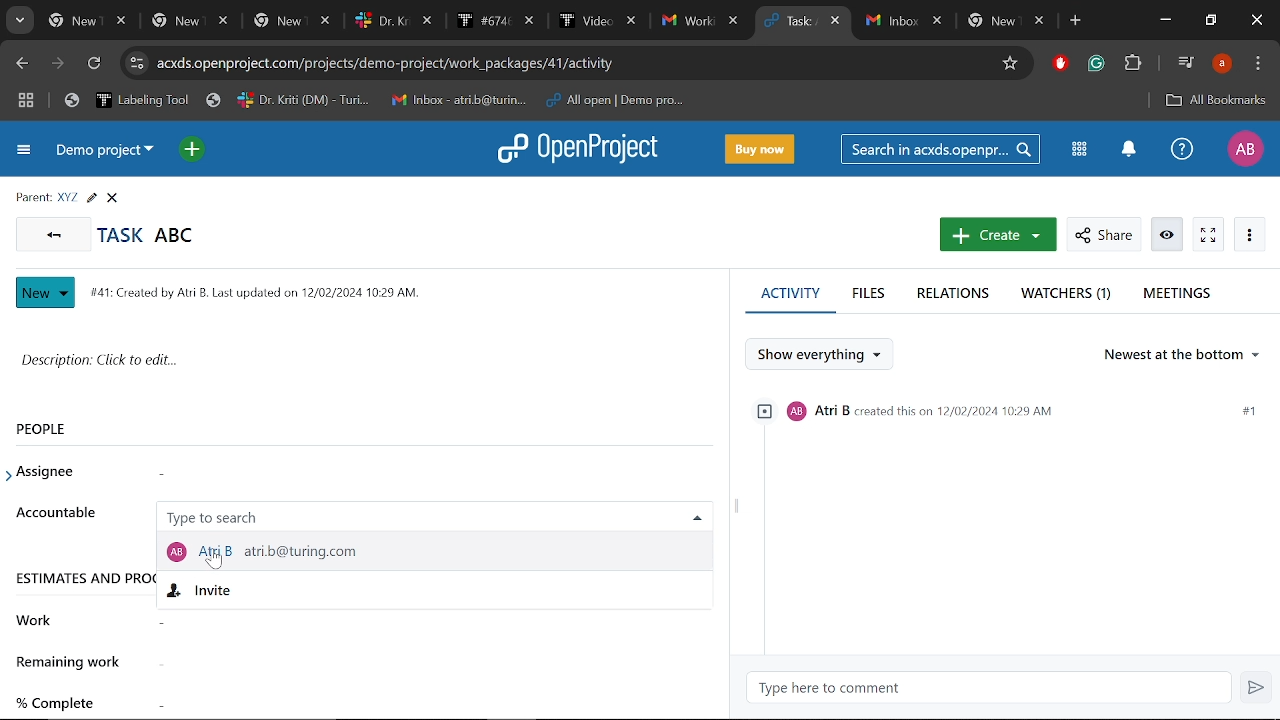 This screenshot has height=720, width=1280. I want to click on Bookmarks, so click(378, 100).